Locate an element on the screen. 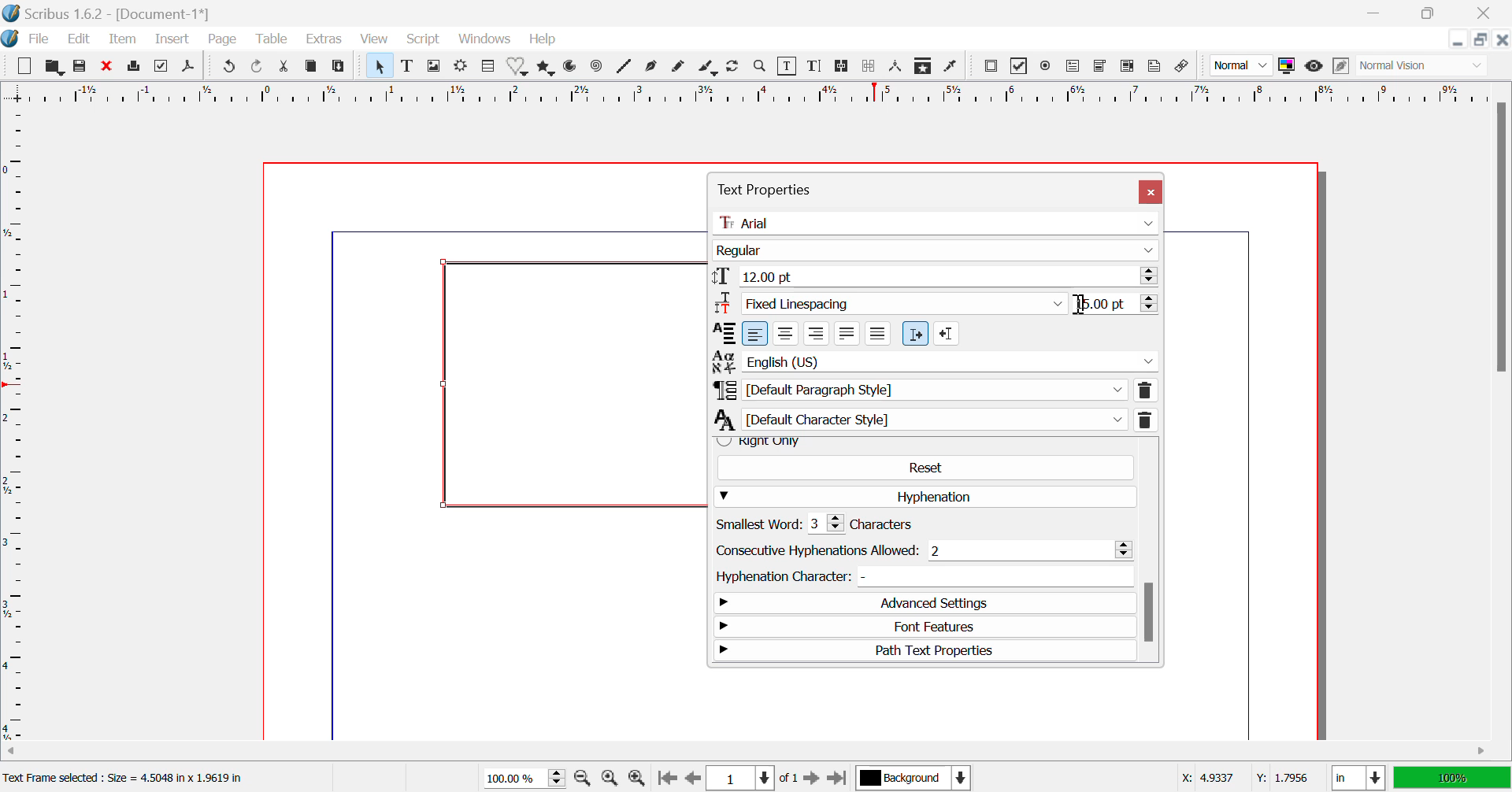 The width and height of the screenshot is (1512, 792). Center align is located at coordinates (786, 333).